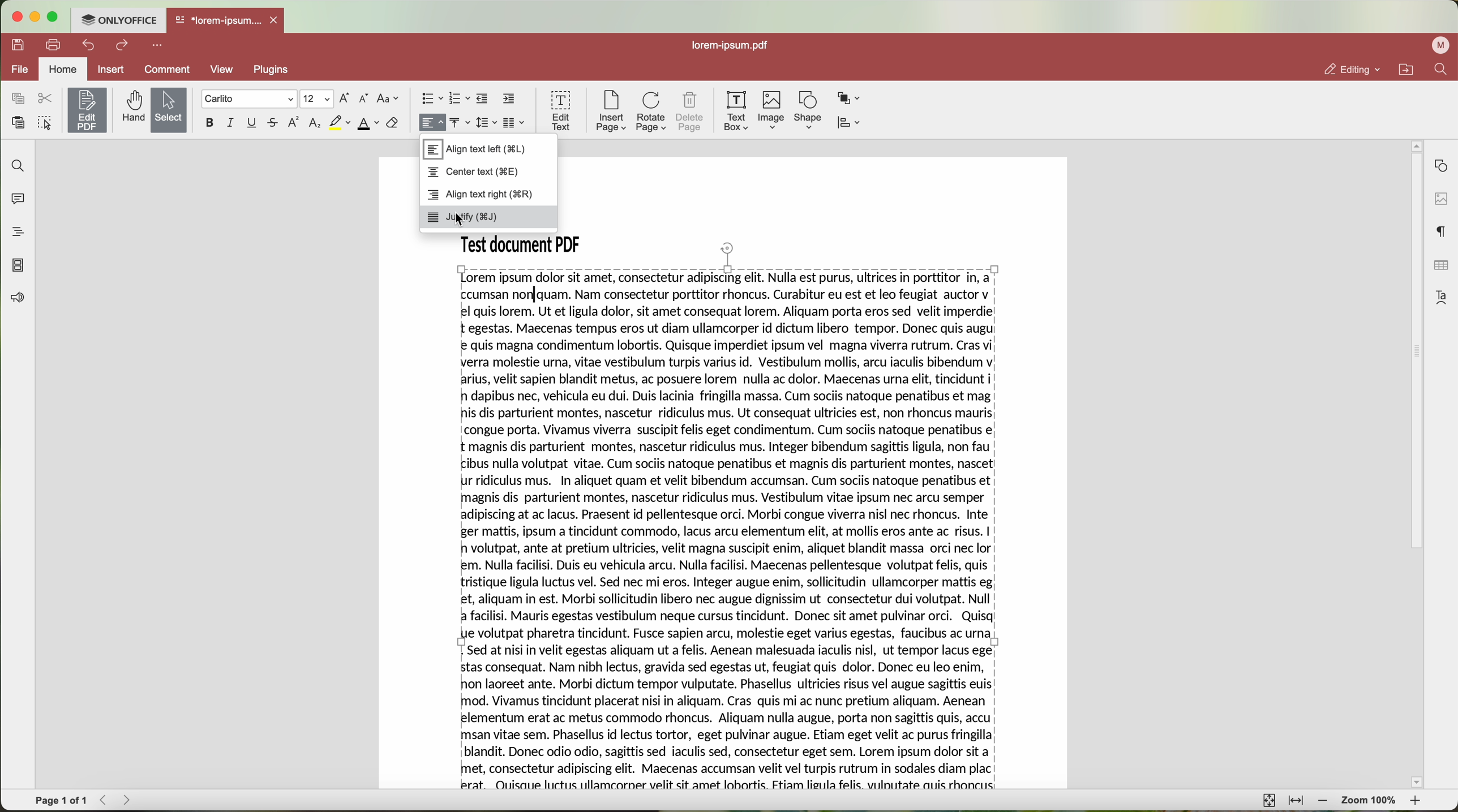  What do you see at coordinates (734, 46) in the screenshot?
I see `lorem.ipsum.pdf` at bounding box center [734, 46].